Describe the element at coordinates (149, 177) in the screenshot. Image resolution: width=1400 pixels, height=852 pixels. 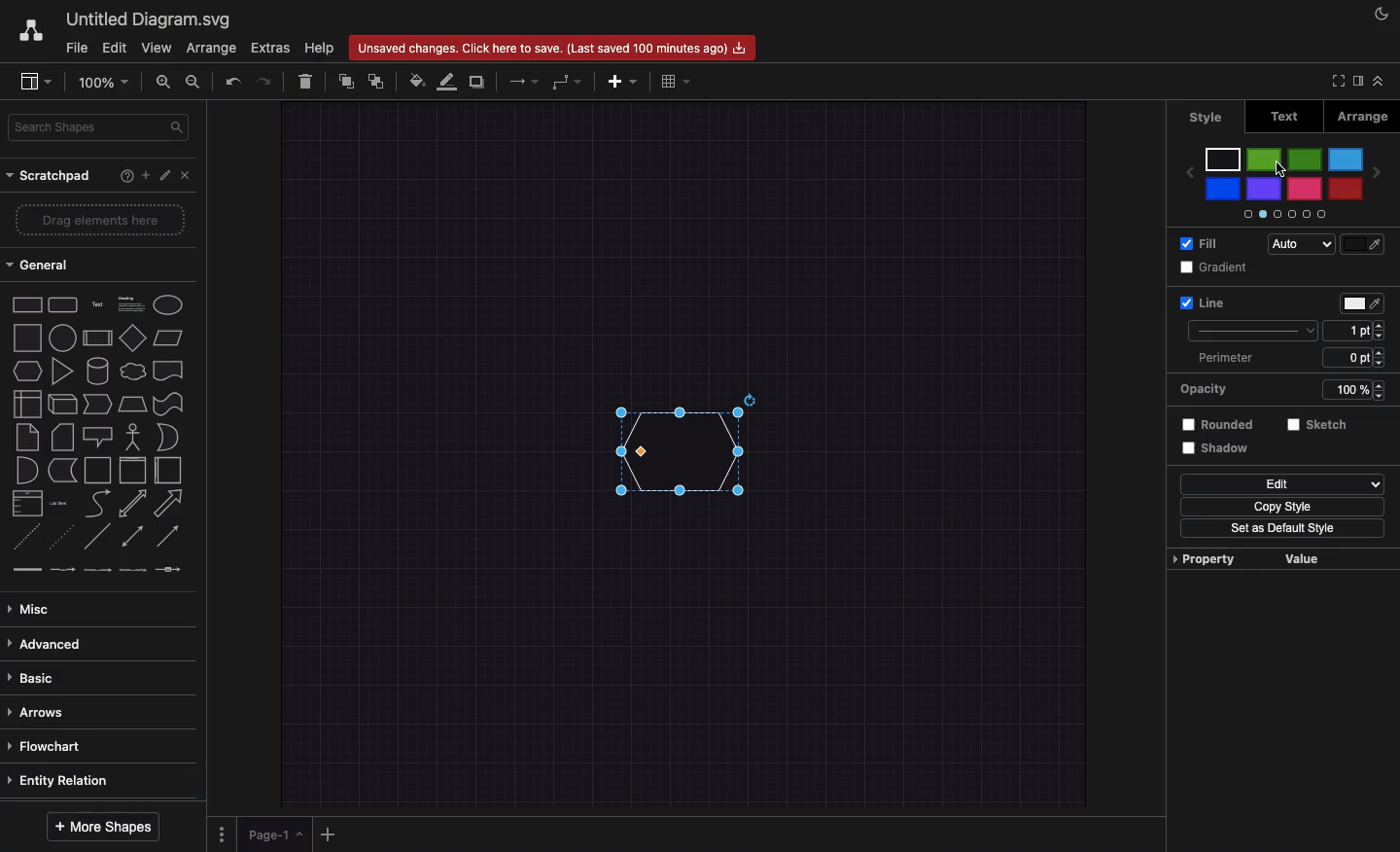
I see `Add` at that location.